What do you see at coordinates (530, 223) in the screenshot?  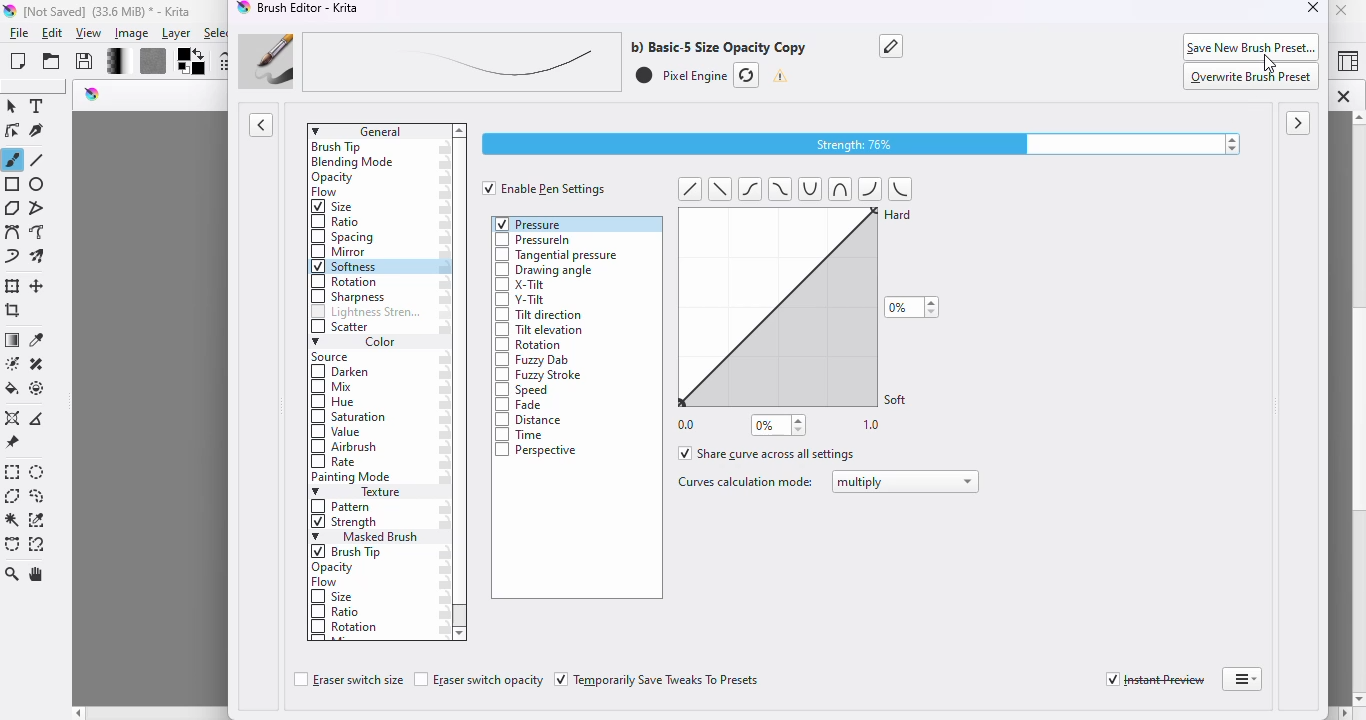 I see `pressure` at bounding box center [530, 223].